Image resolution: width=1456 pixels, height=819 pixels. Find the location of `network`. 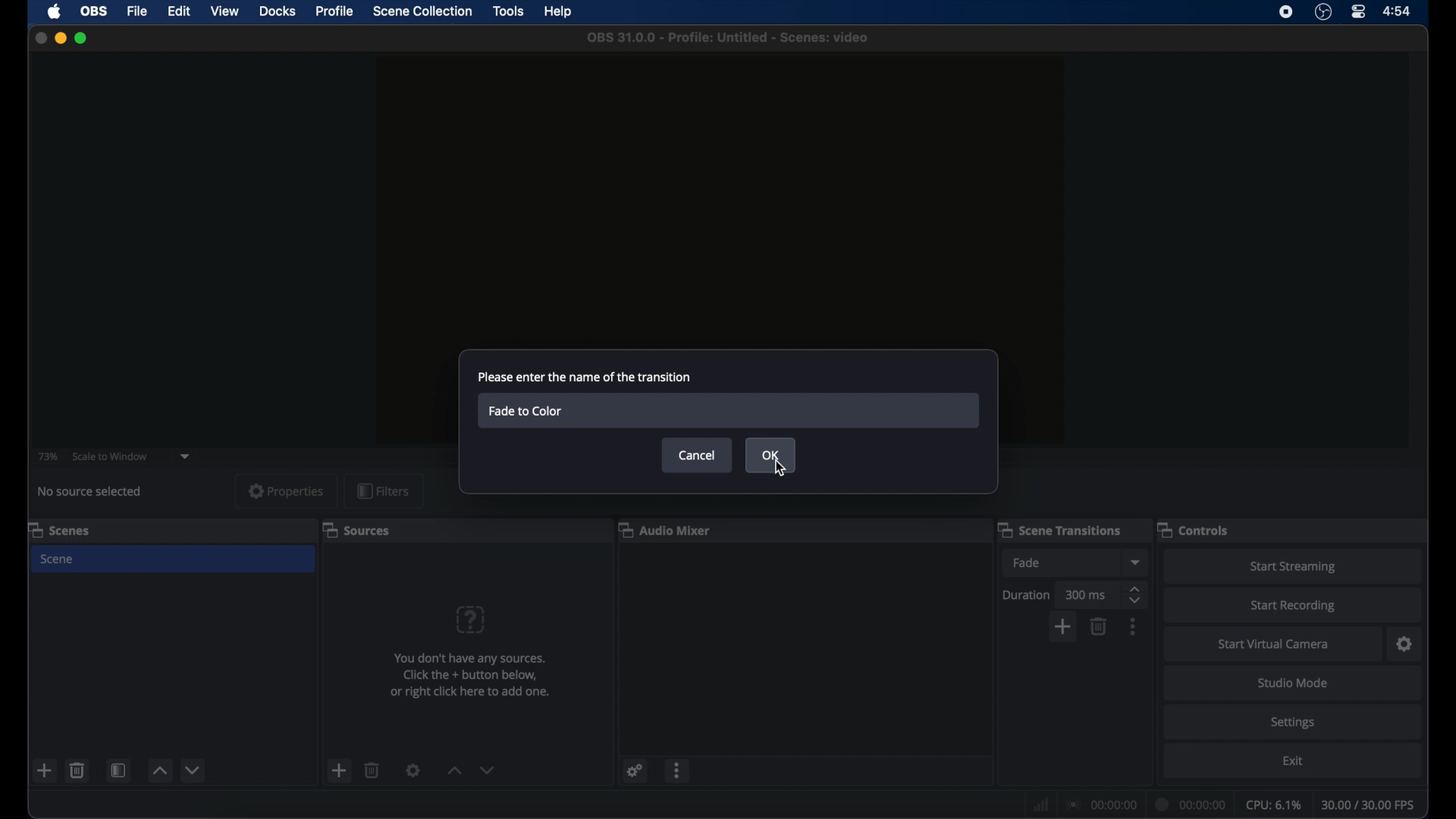

network is located at coordinates (1040, 803).